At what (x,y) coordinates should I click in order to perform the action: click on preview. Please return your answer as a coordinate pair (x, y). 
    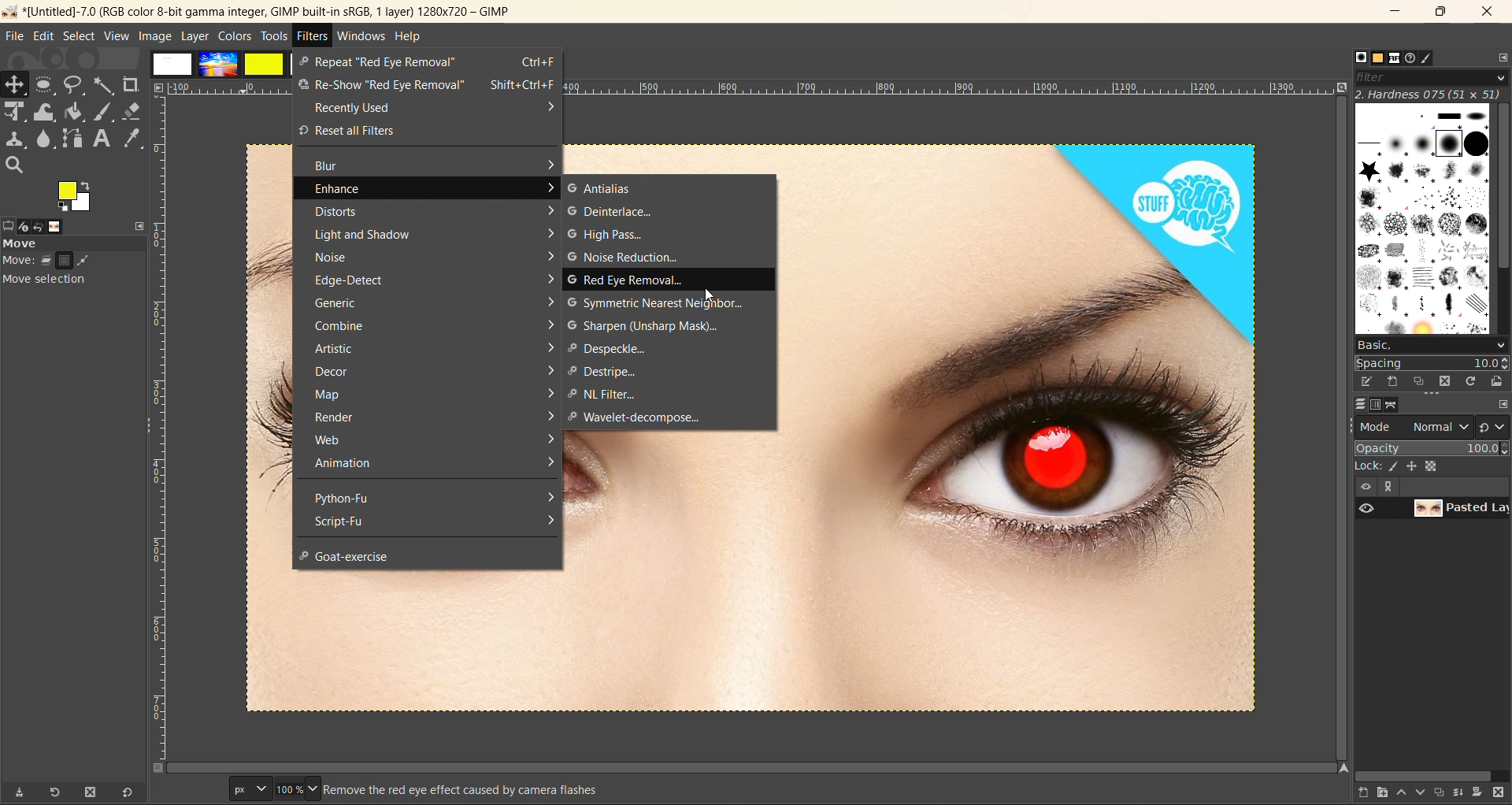
    Looking at the image, I should click on (1366, 507).